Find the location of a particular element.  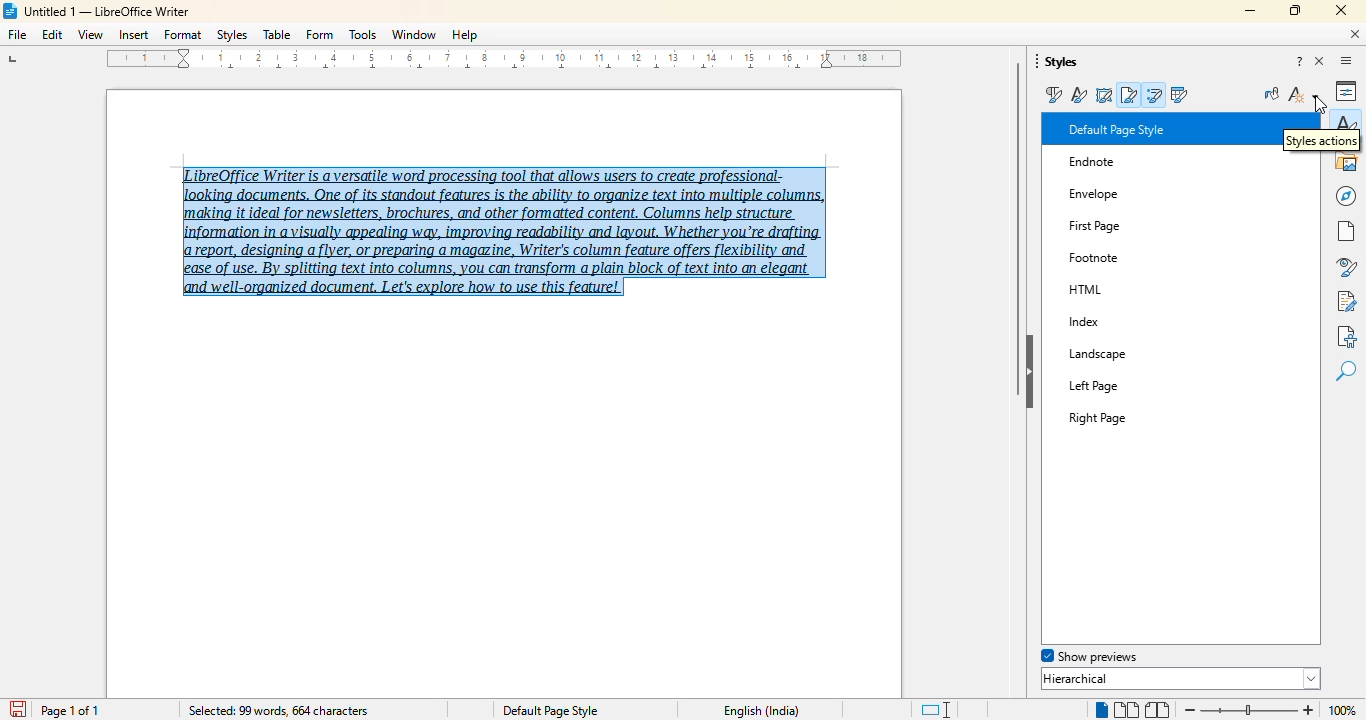

insert is located at coordinates (133, 35).